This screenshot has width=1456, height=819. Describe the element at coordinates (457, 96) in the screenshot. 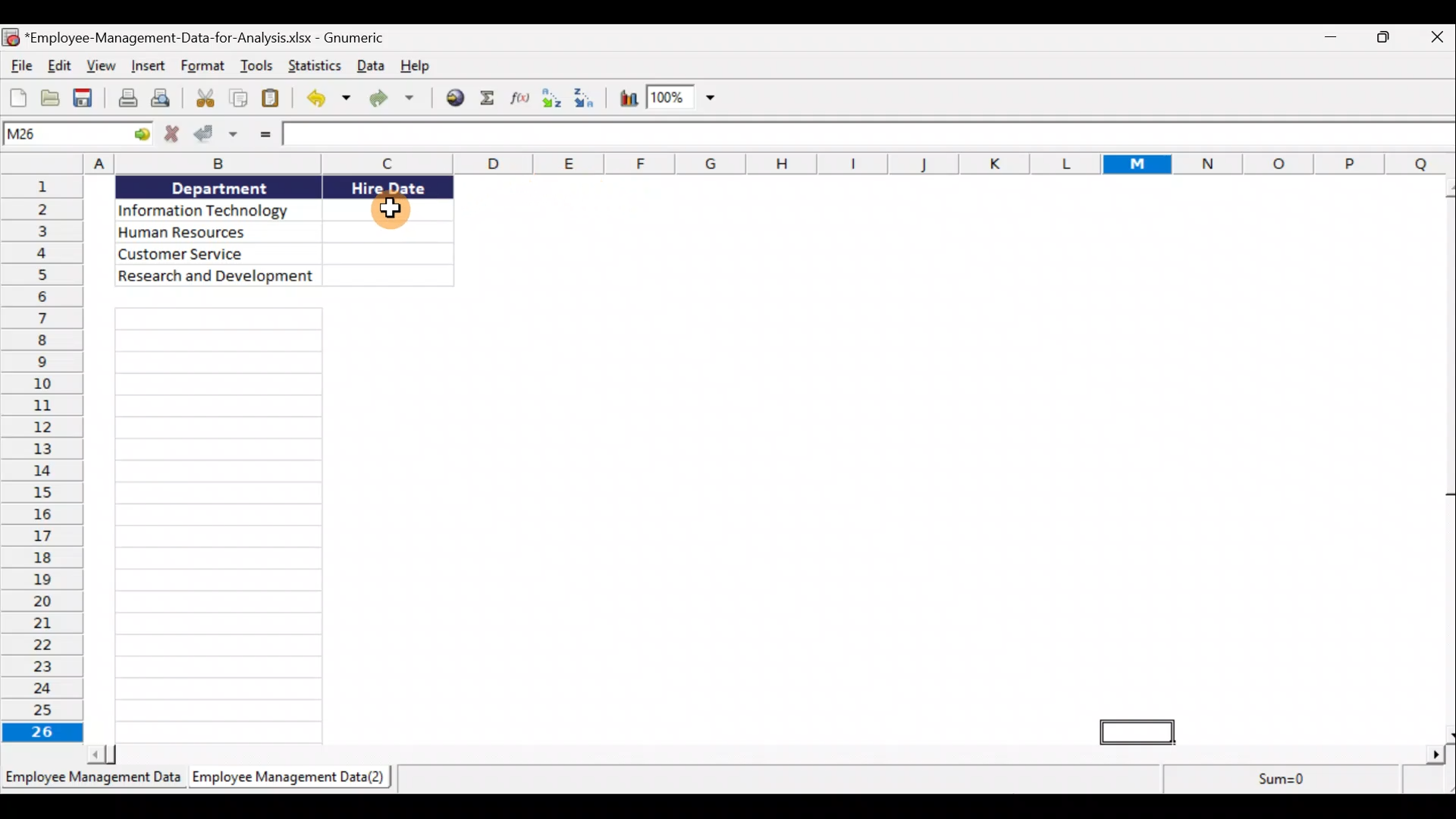

I see `Insert hyperlink` at that location.